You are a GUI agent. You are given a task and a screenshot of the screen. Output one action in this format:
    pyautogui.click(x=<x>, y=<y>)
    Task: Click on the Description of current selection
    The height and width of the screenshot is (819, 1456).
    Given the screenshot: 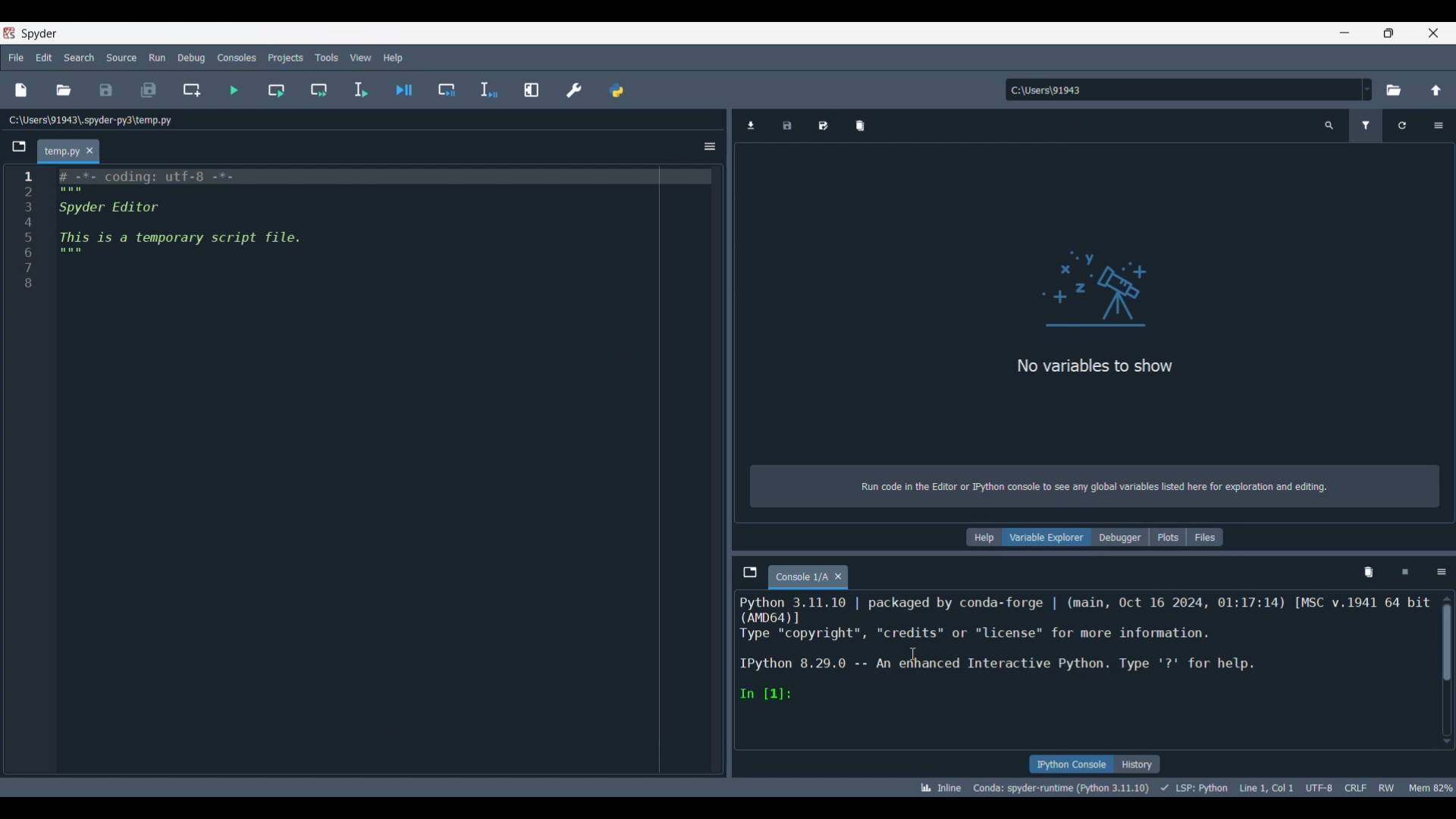 What is the action you would take?
    pyautogui.click(x=603, y=121)
    